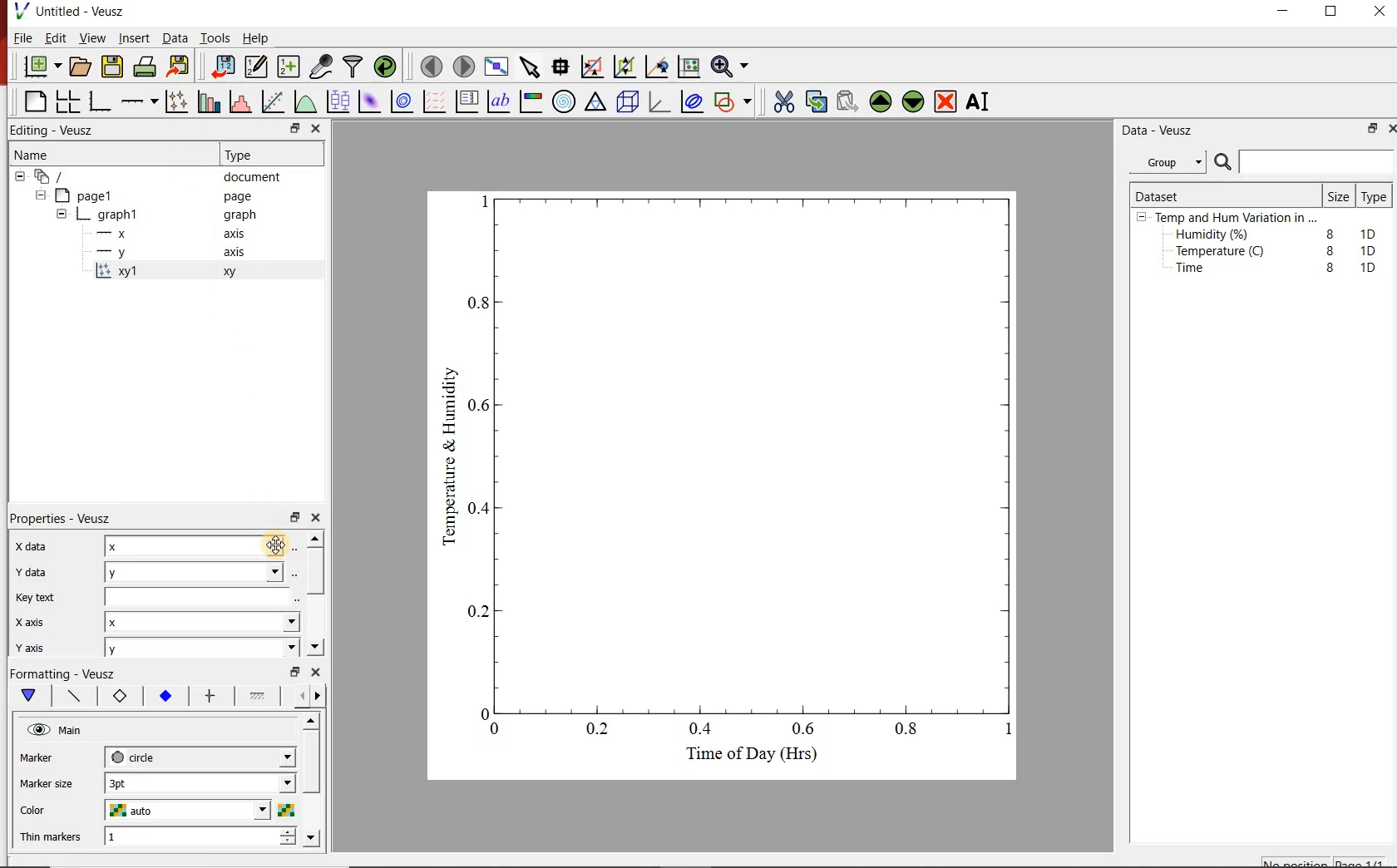 The width and height of the screenshot is (1397, 868). I want to click on 1D, so click(1372, 232).